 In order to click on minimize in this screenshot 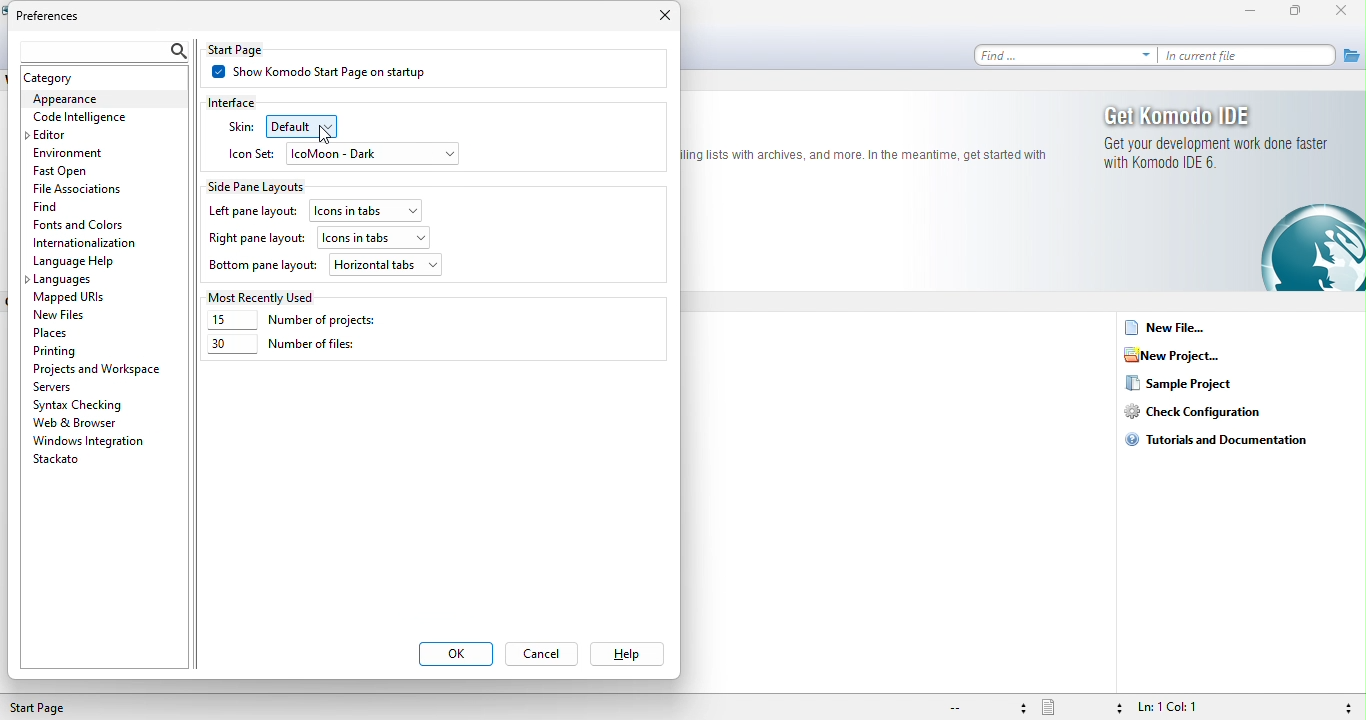, I will do `click(1255, 12)`.